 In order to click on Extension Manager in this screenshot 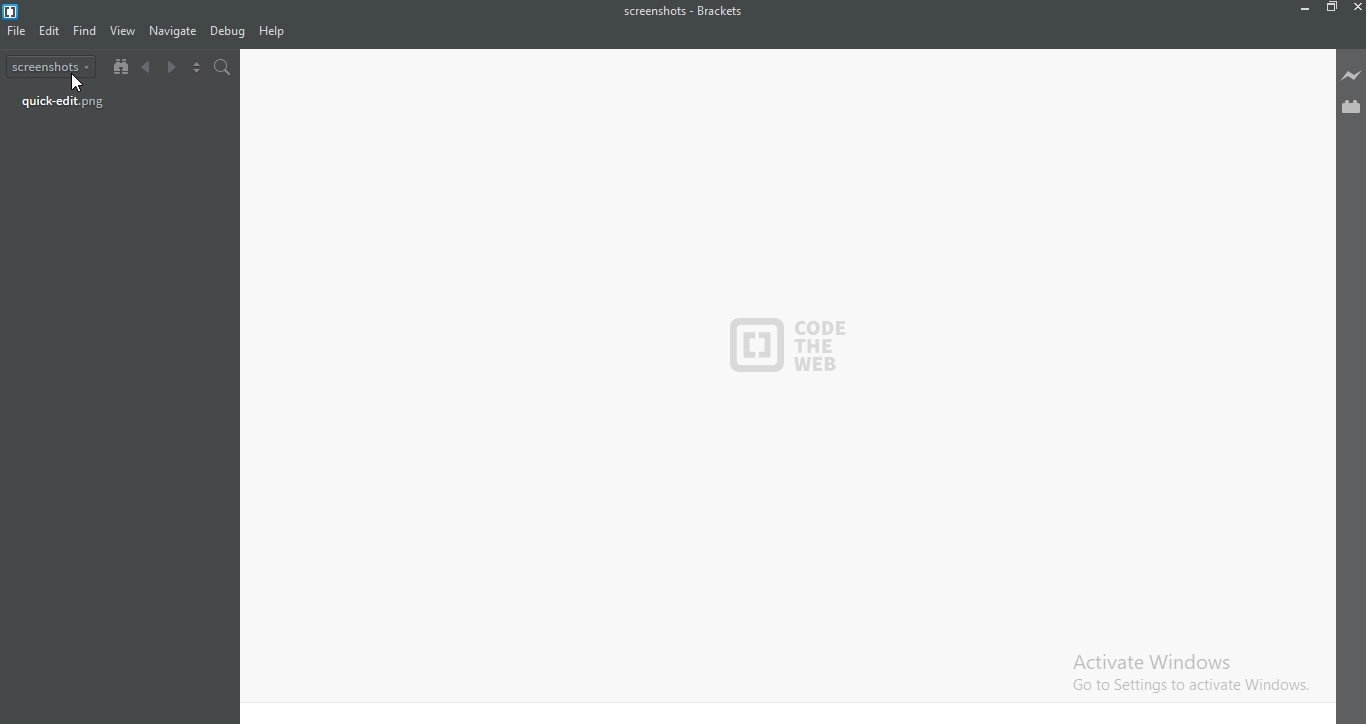, I will do `click(1351, 108)`.